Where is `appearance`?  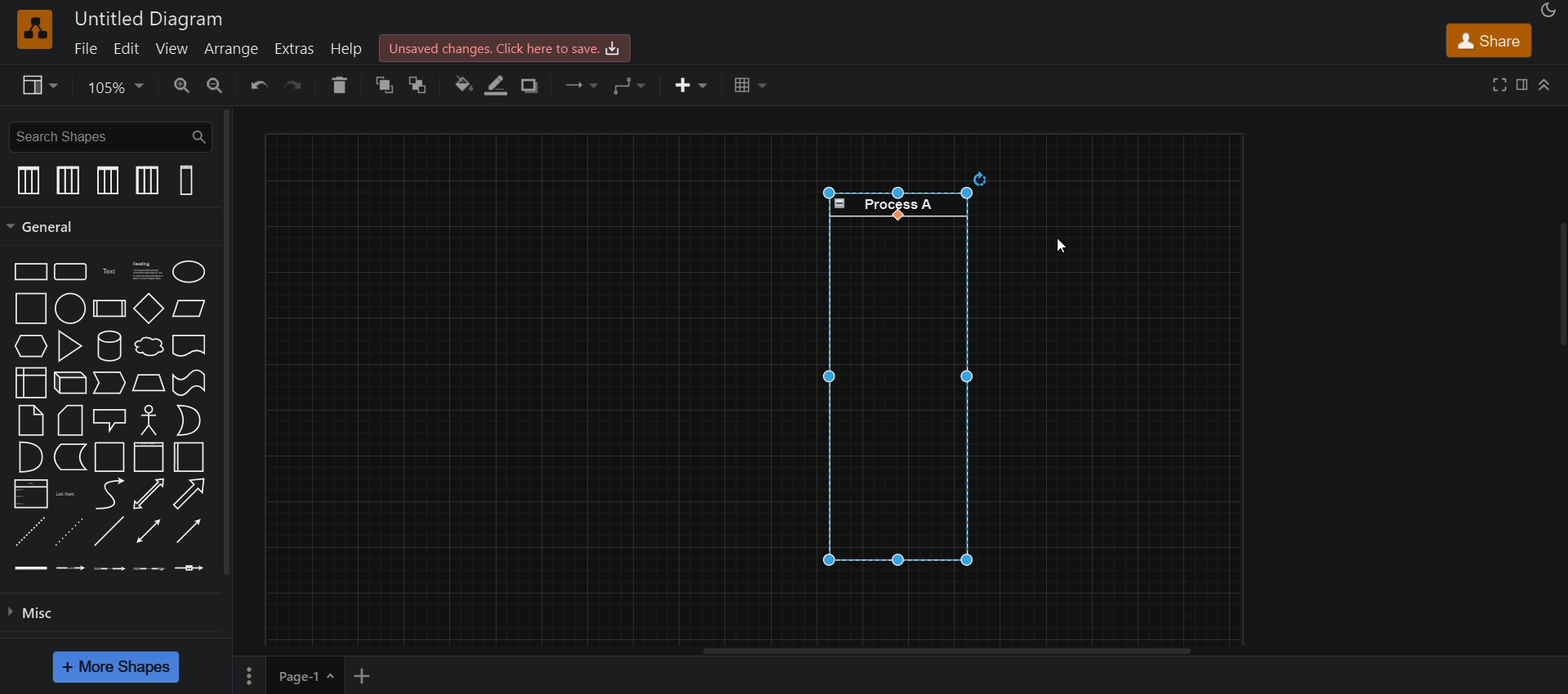
appearance is located at coordinates (1547, 11).